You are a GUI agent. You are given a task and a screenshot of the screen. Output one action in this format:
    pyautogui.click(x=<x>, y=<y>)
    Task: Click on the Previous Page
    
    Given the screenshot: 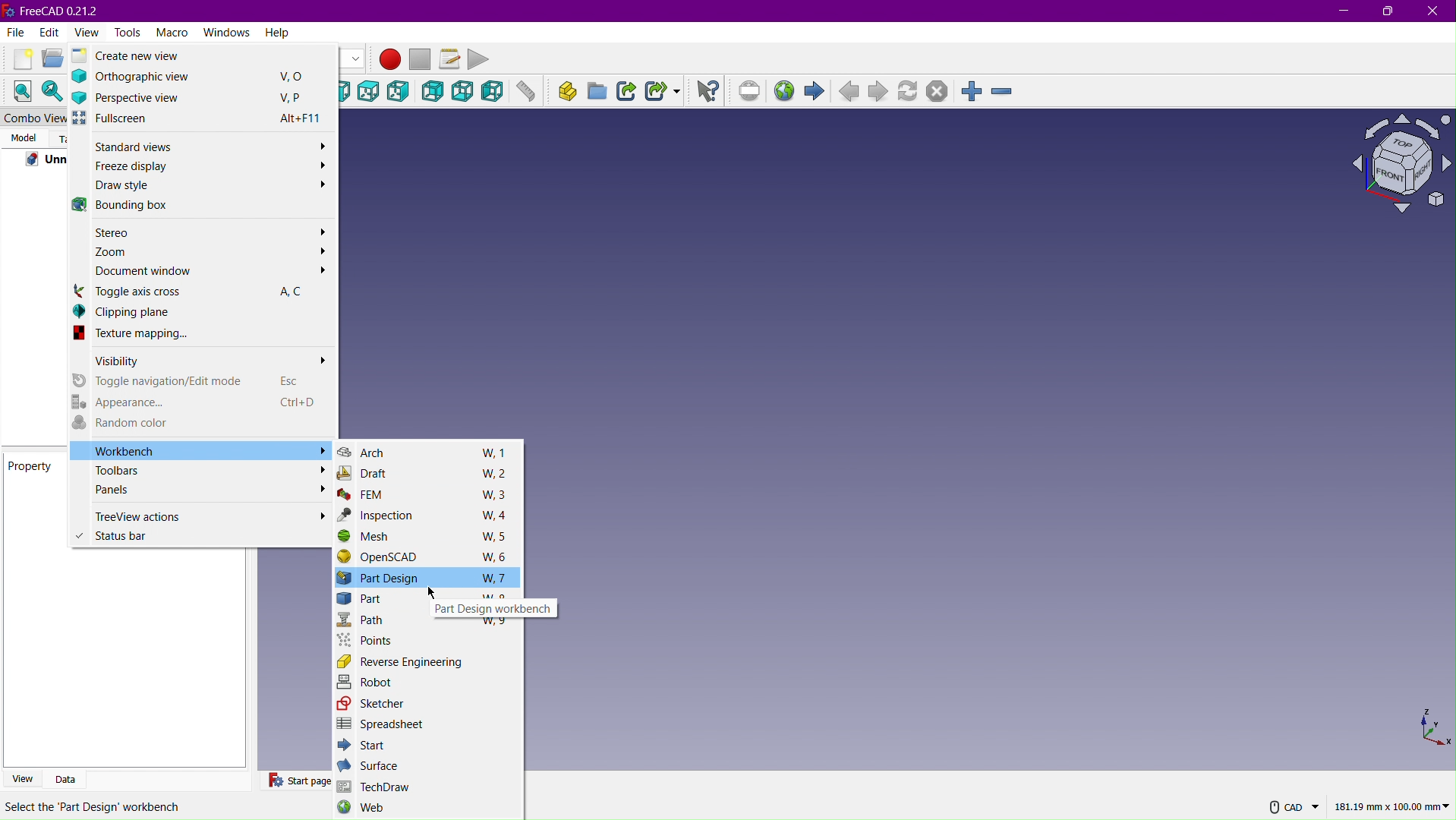 What is the action you would take?
    pyautogui.click(x=846, y=93)
    